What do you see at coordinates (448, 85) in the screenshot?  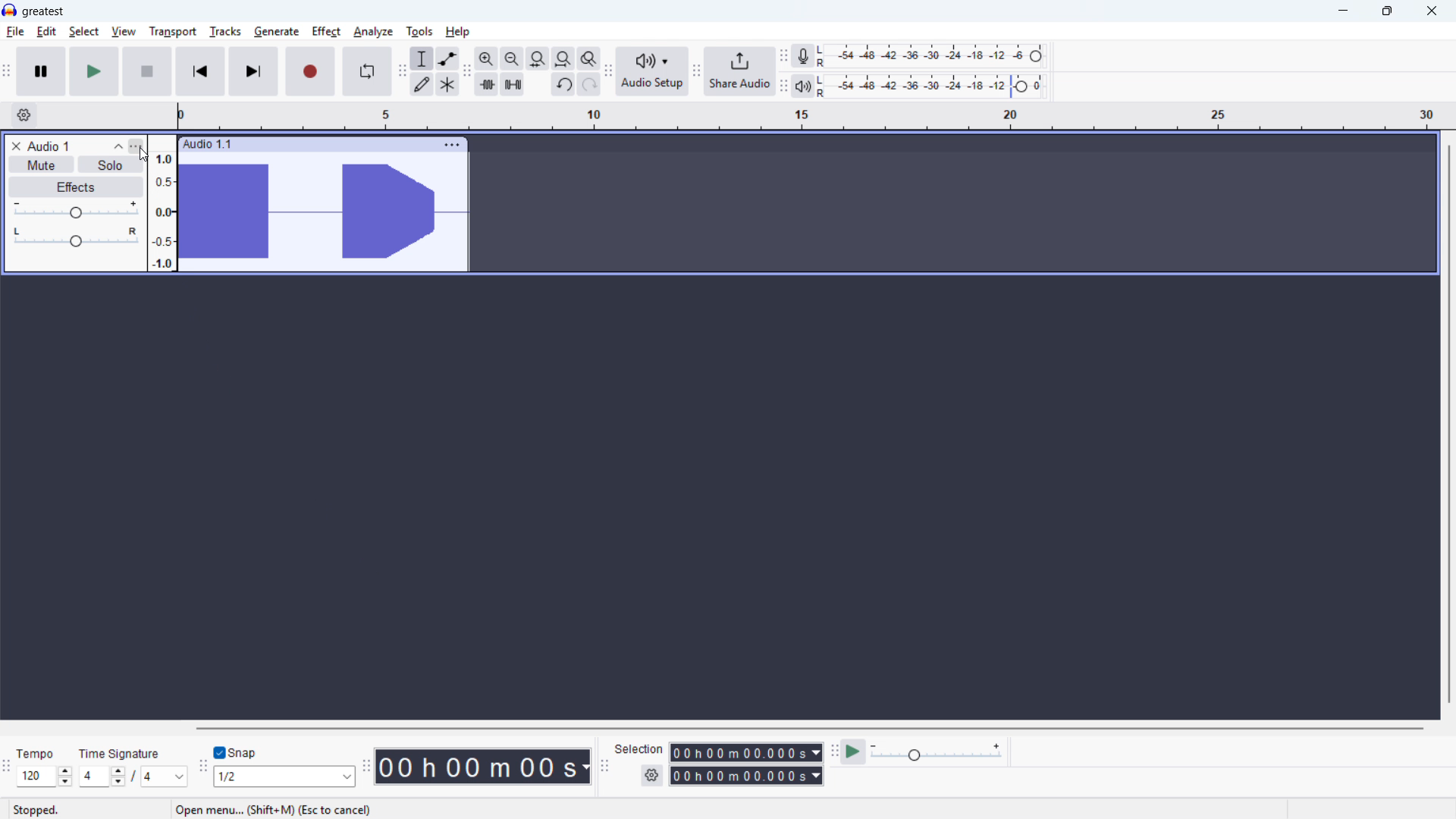 I see `multi tool` at bounding box center [448, 85].